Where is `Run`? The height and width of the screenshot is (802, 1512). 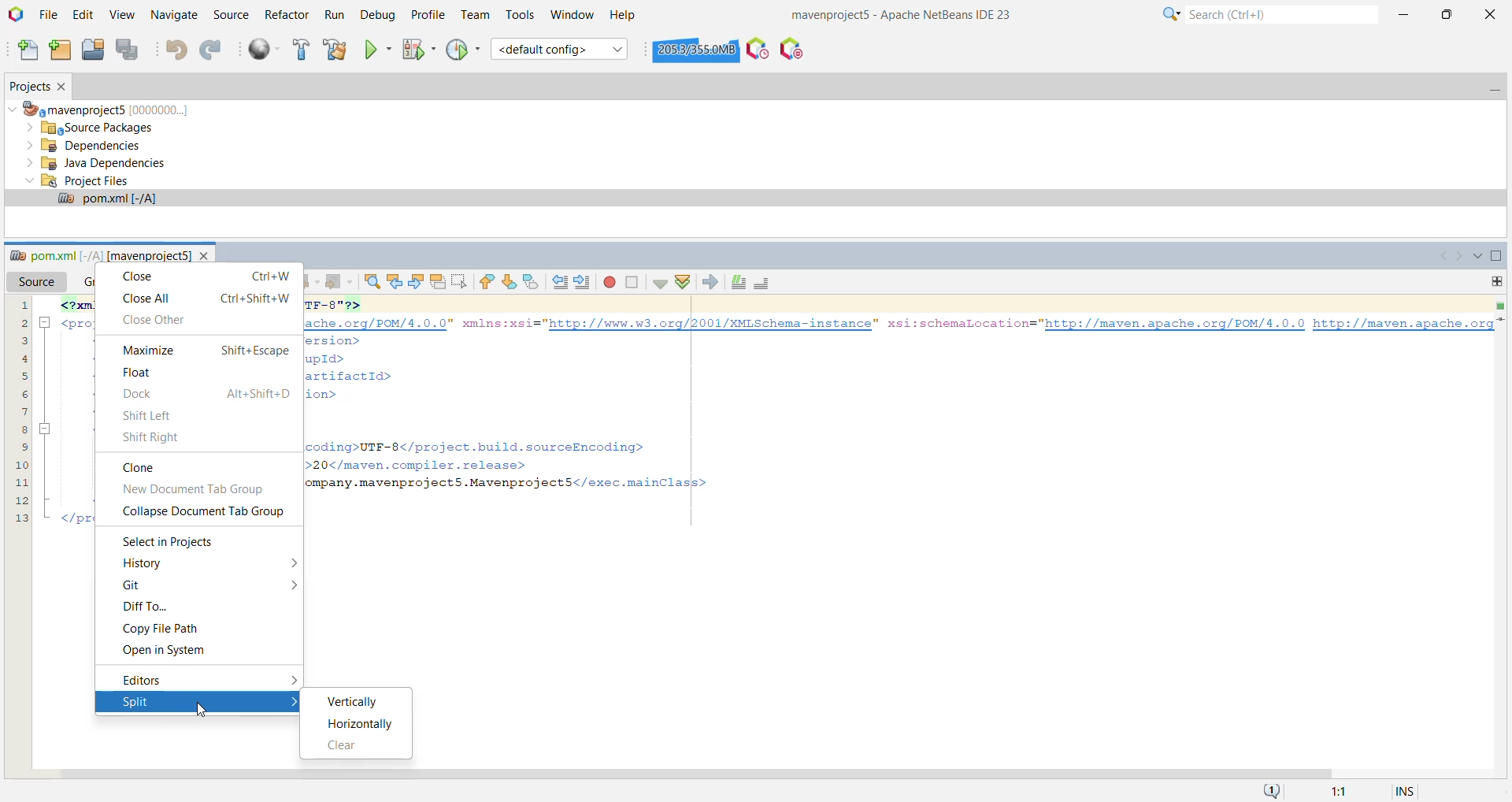 Run is located at coordinates (333, 16).